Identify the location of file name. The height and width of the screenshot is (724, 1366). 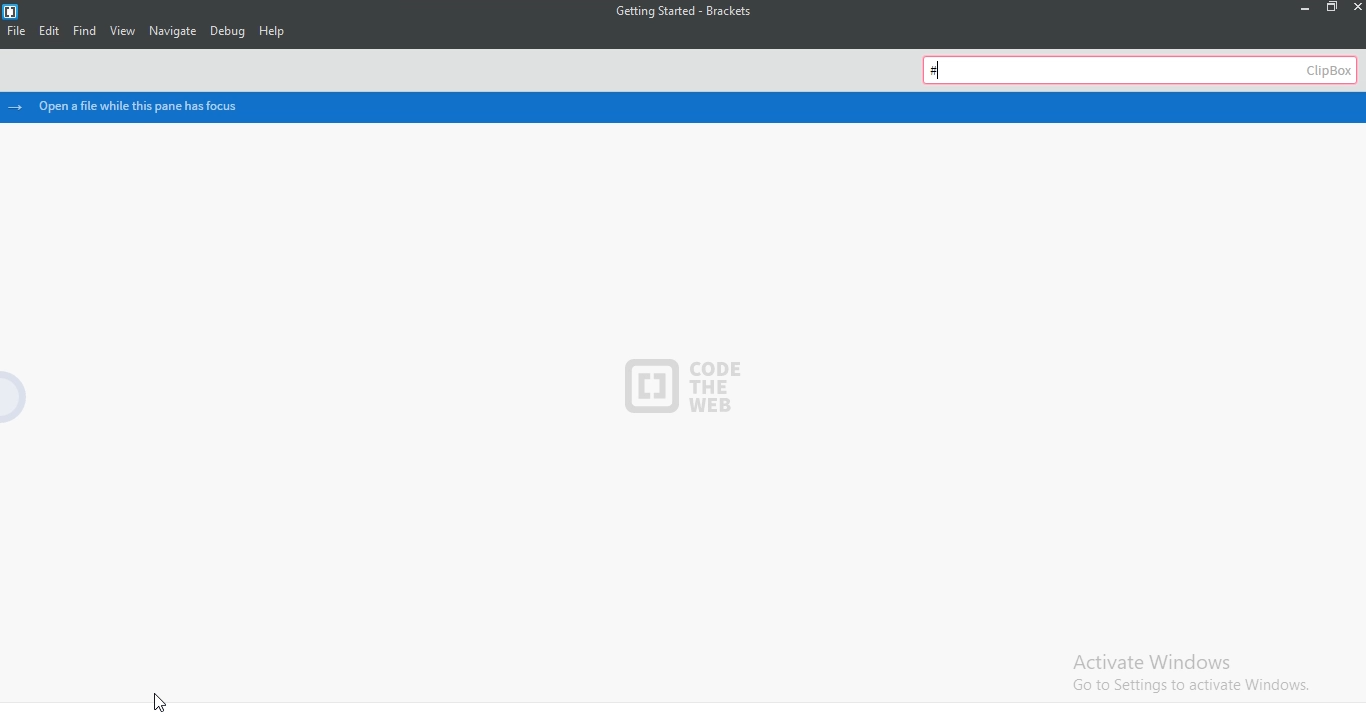
(684, 10).